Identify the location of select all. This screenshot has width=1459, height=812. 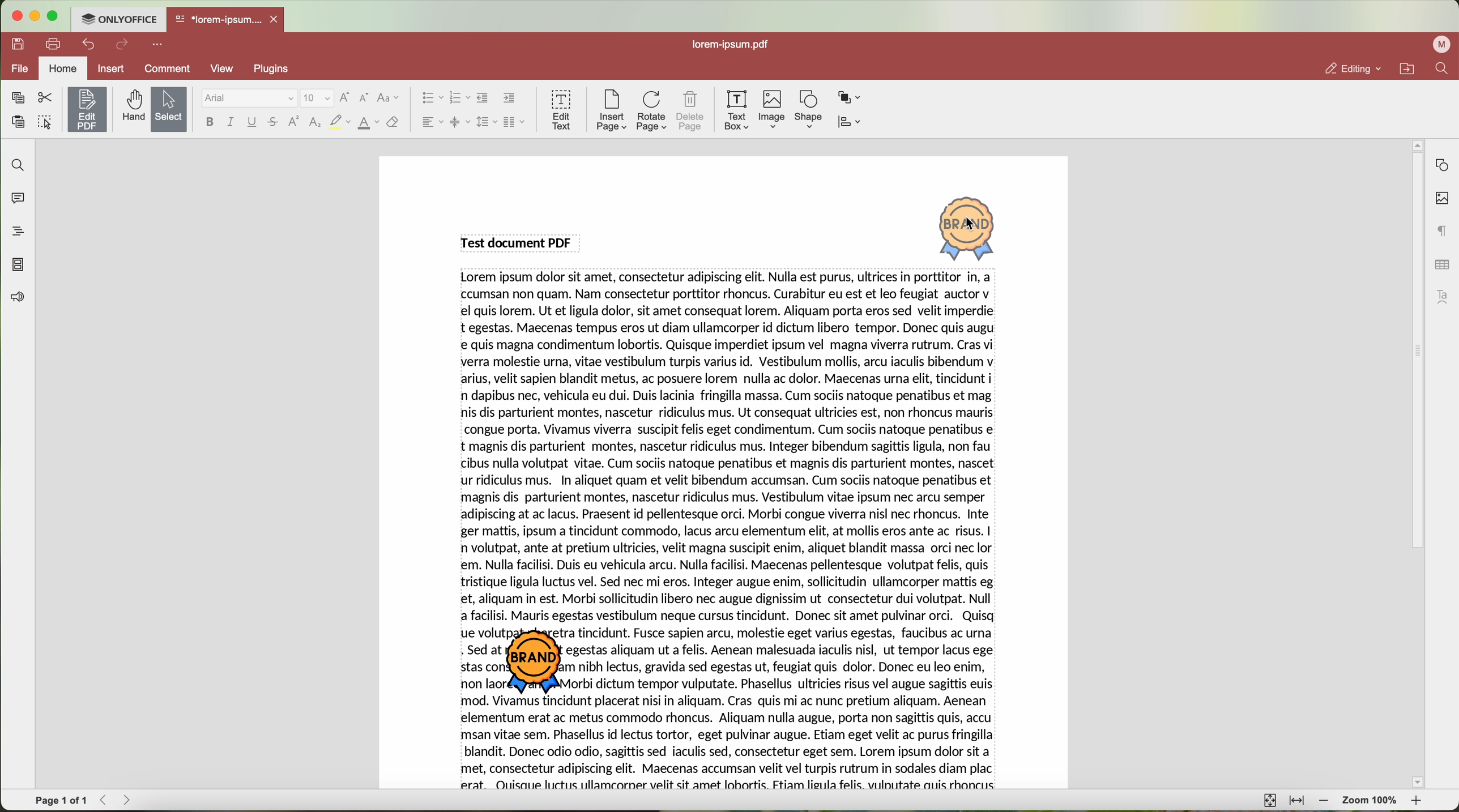
(45, 123).